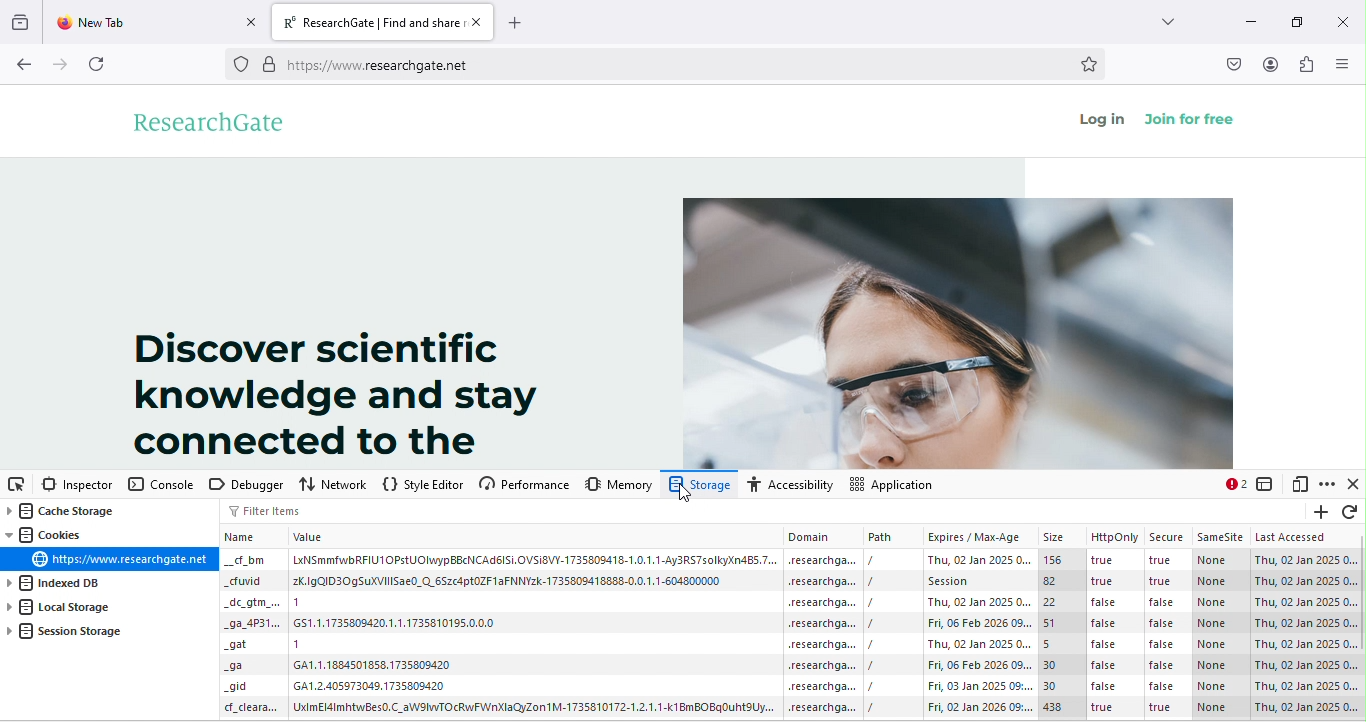 Image resolution: width=1366 pixels, height=722 pixels. Describe the element at coordinates (1051, 581) in the screenshot. I see `82` at that location.